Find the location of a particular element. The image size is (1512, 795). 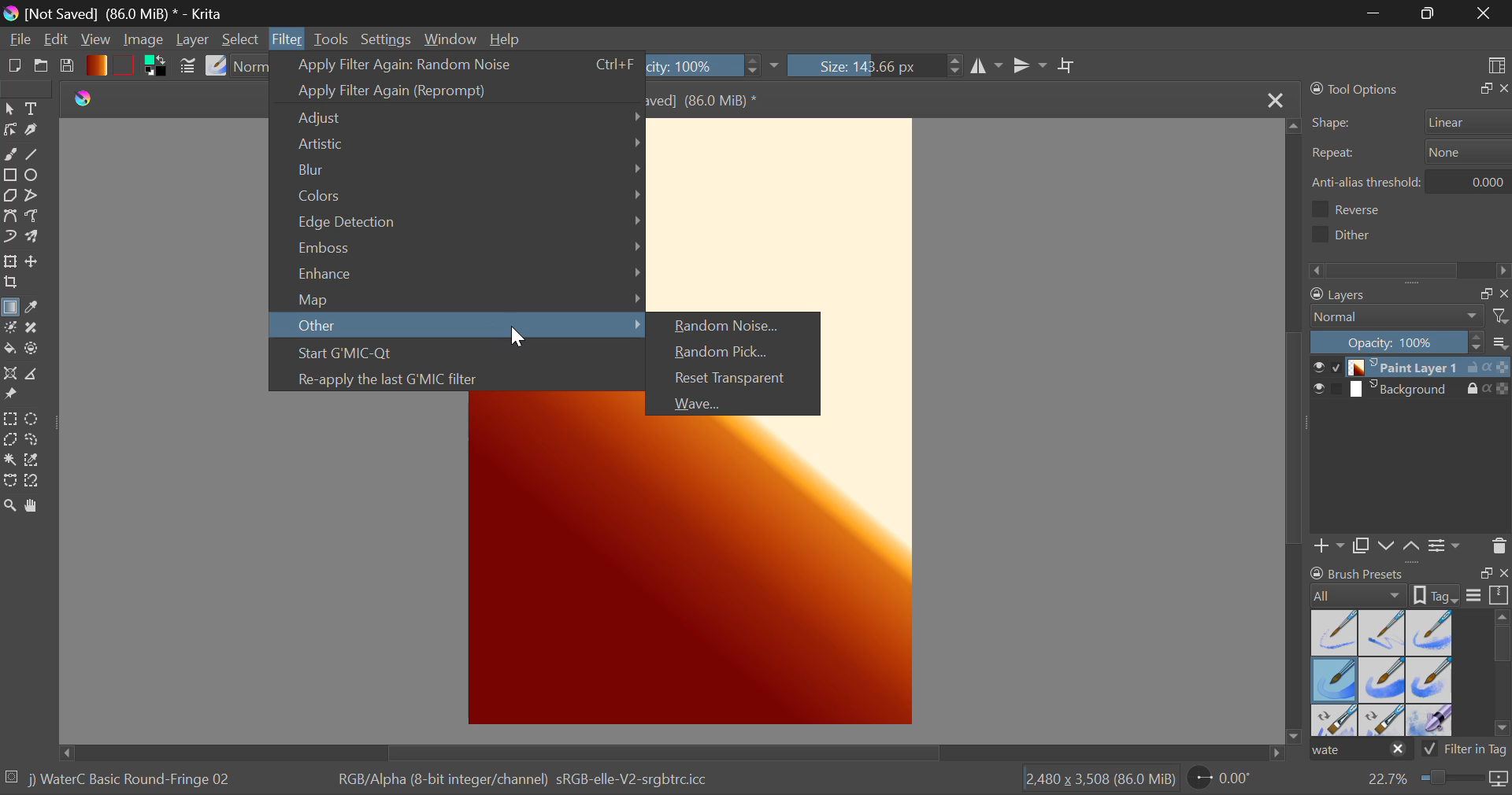

Bezier Curve is located at coordinates (9, 216).